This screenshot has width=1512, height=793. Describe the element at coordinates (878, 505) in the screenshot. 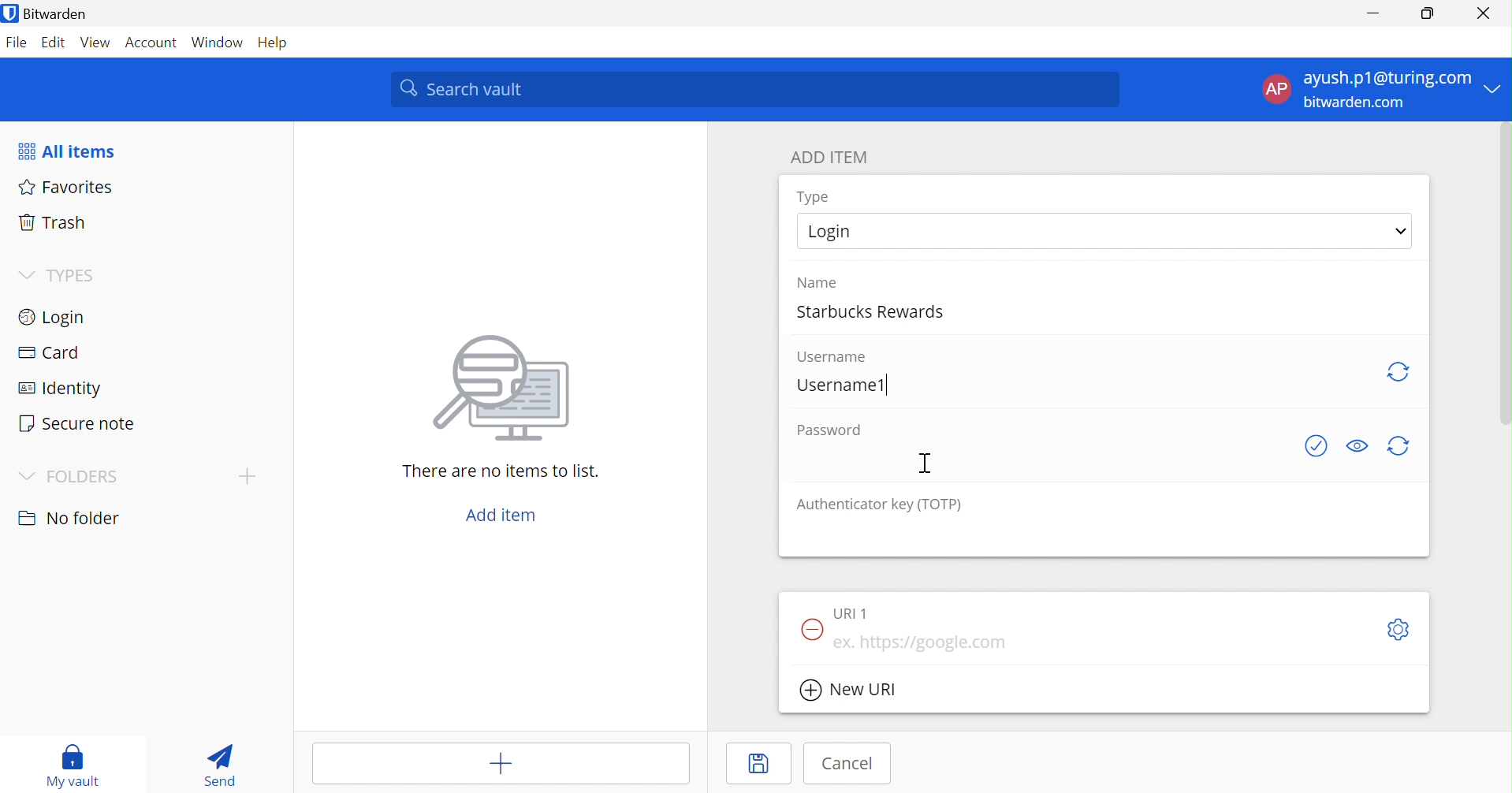

I see `Authenticator key (TOTP)` at that location.